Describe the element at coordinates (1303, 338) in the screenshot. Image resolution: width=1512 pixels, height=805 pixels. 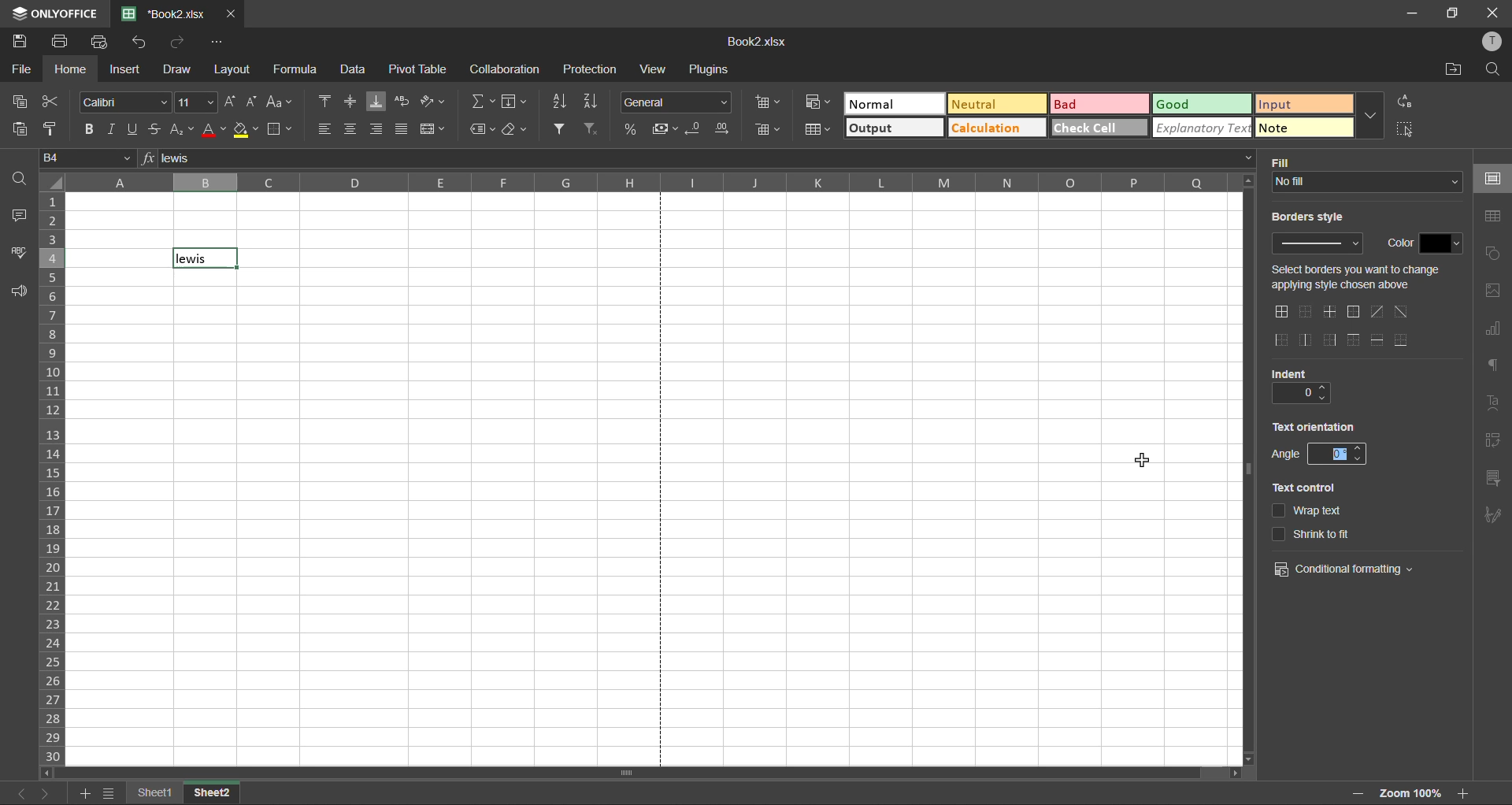
I see `only middle border` at that location.